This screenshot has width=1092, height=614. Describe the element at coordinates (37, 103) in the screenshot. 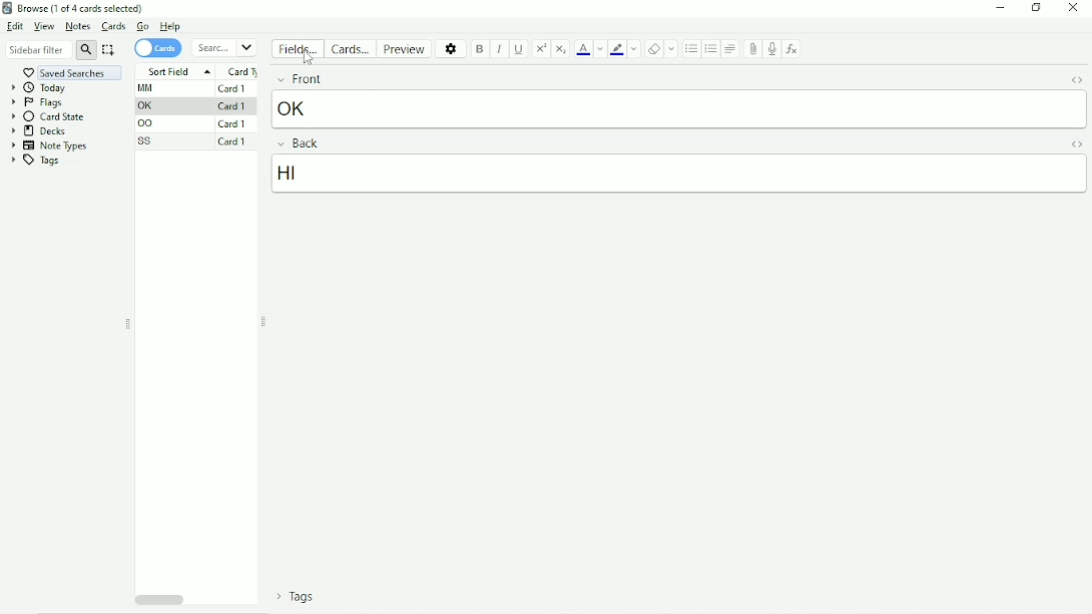

I see `Flags` at that location.